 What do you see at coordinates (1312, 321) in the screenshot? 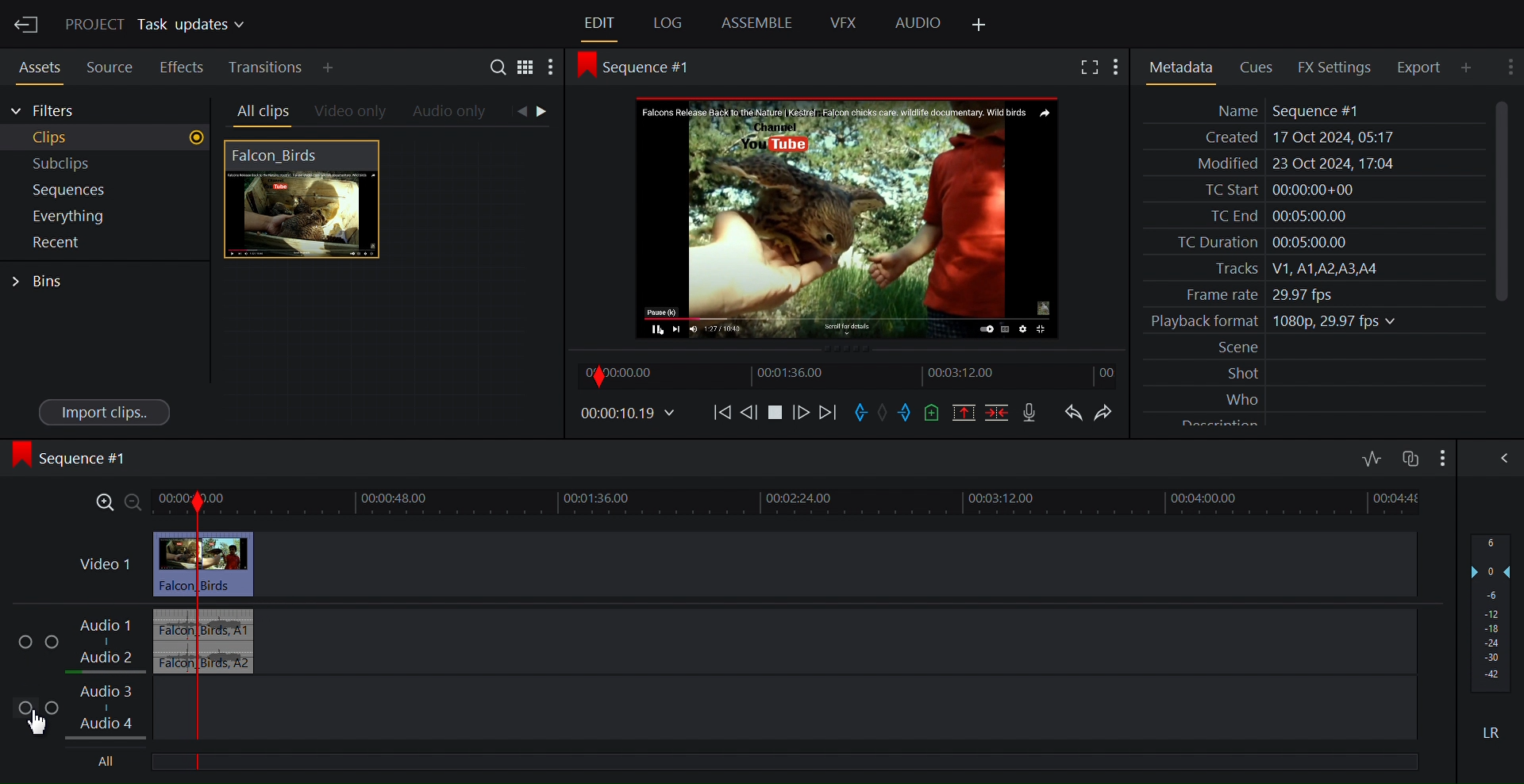
I see `Playback format` at bounding box center [1312, 321].